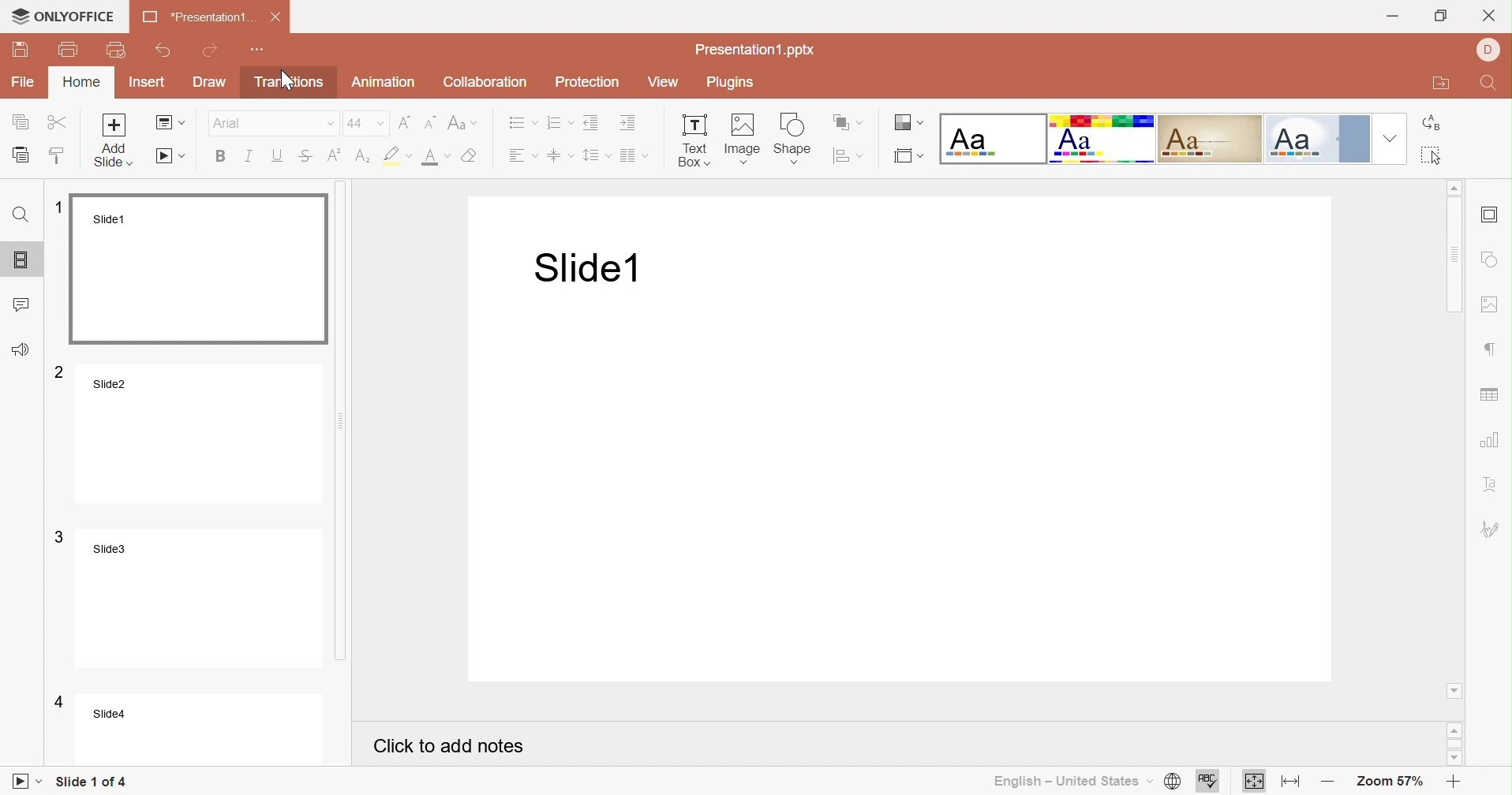  Describe the element at coordinates (1433, 153) in the screenshot. I see `Select all` at that location.